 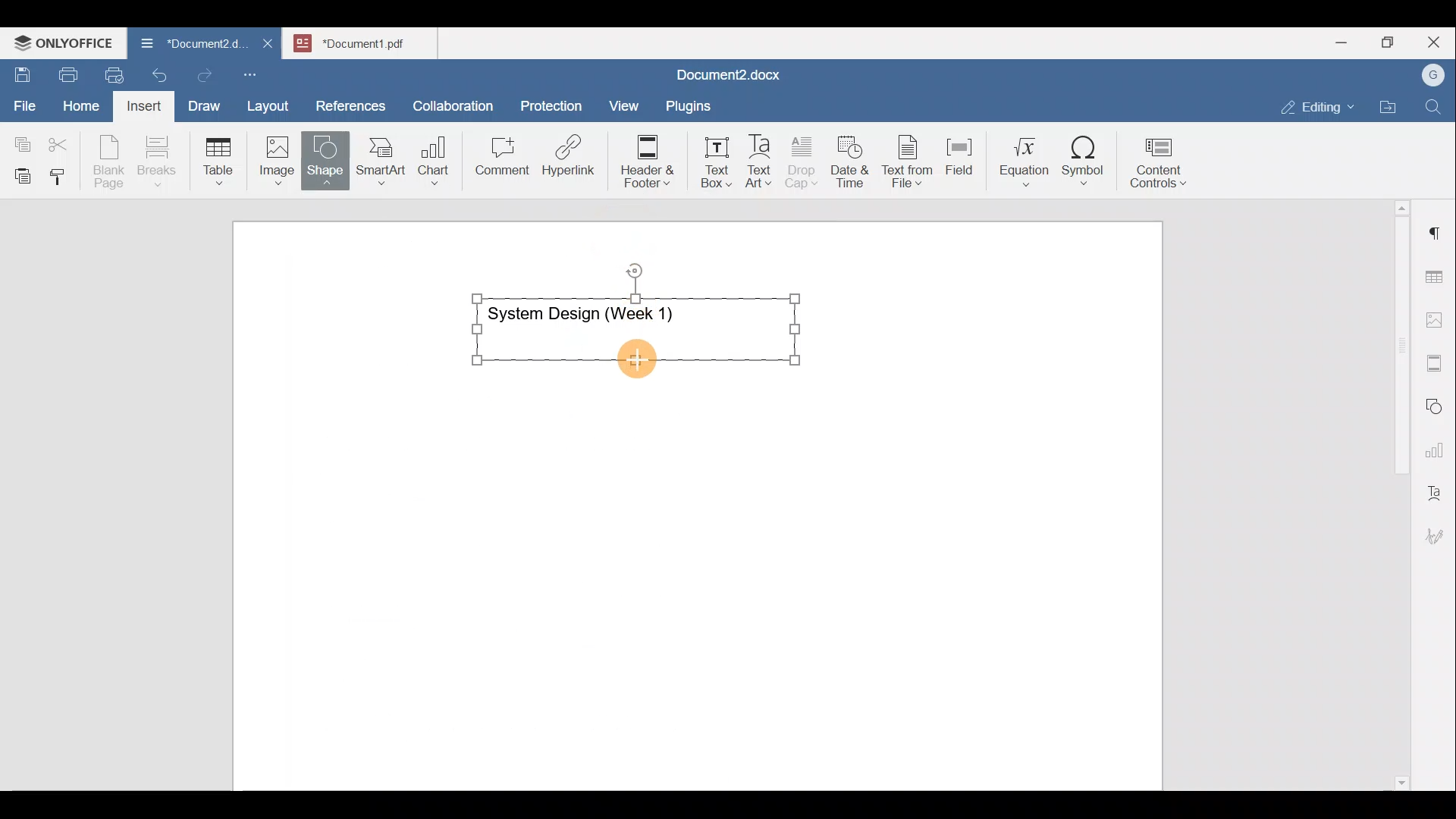 I want to click on Customize quick access toolbar, so click(x=256, y=72).